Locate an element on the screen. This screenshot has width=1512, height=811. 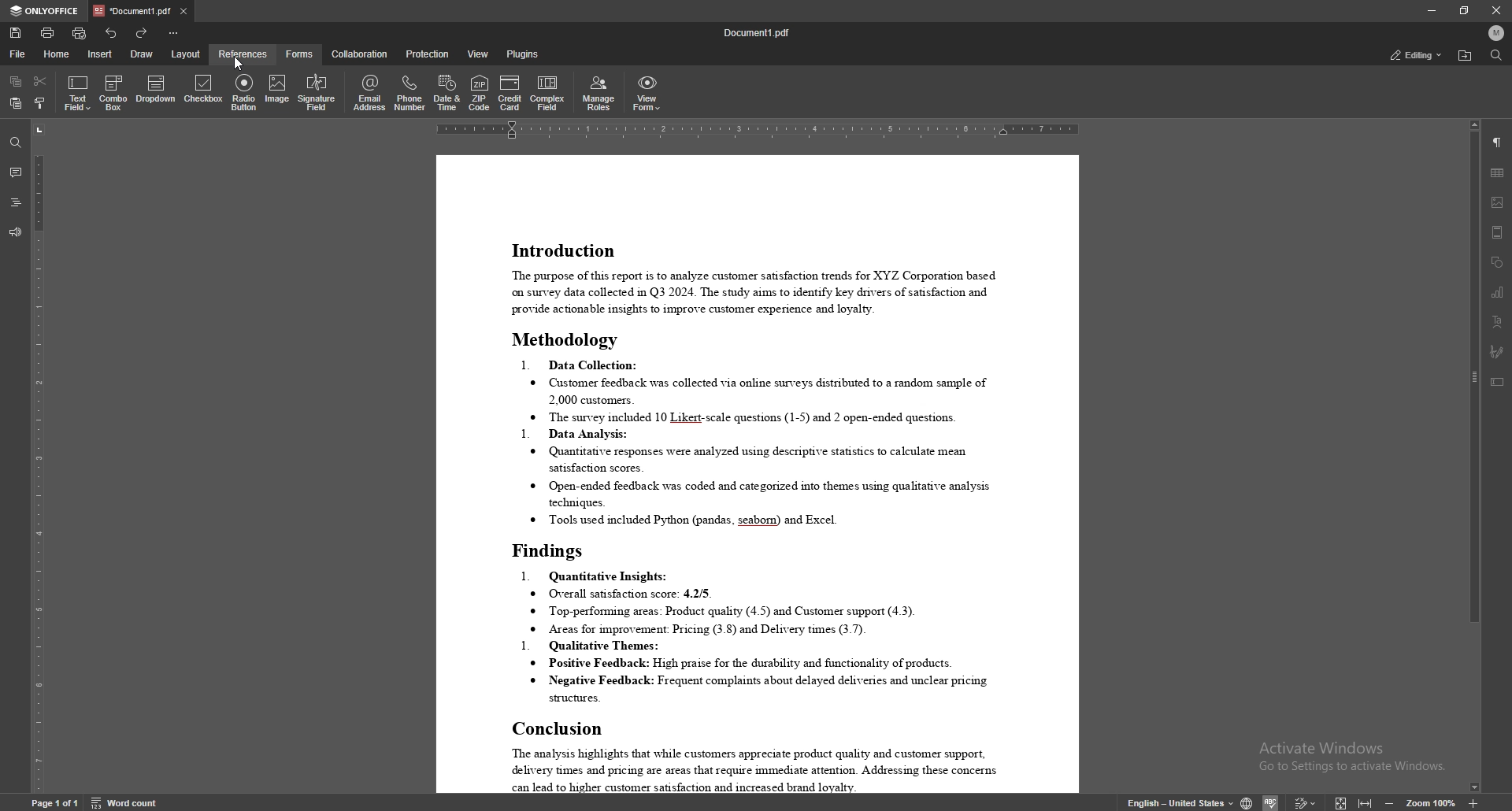
cursor is located at coordinates (238, 64).